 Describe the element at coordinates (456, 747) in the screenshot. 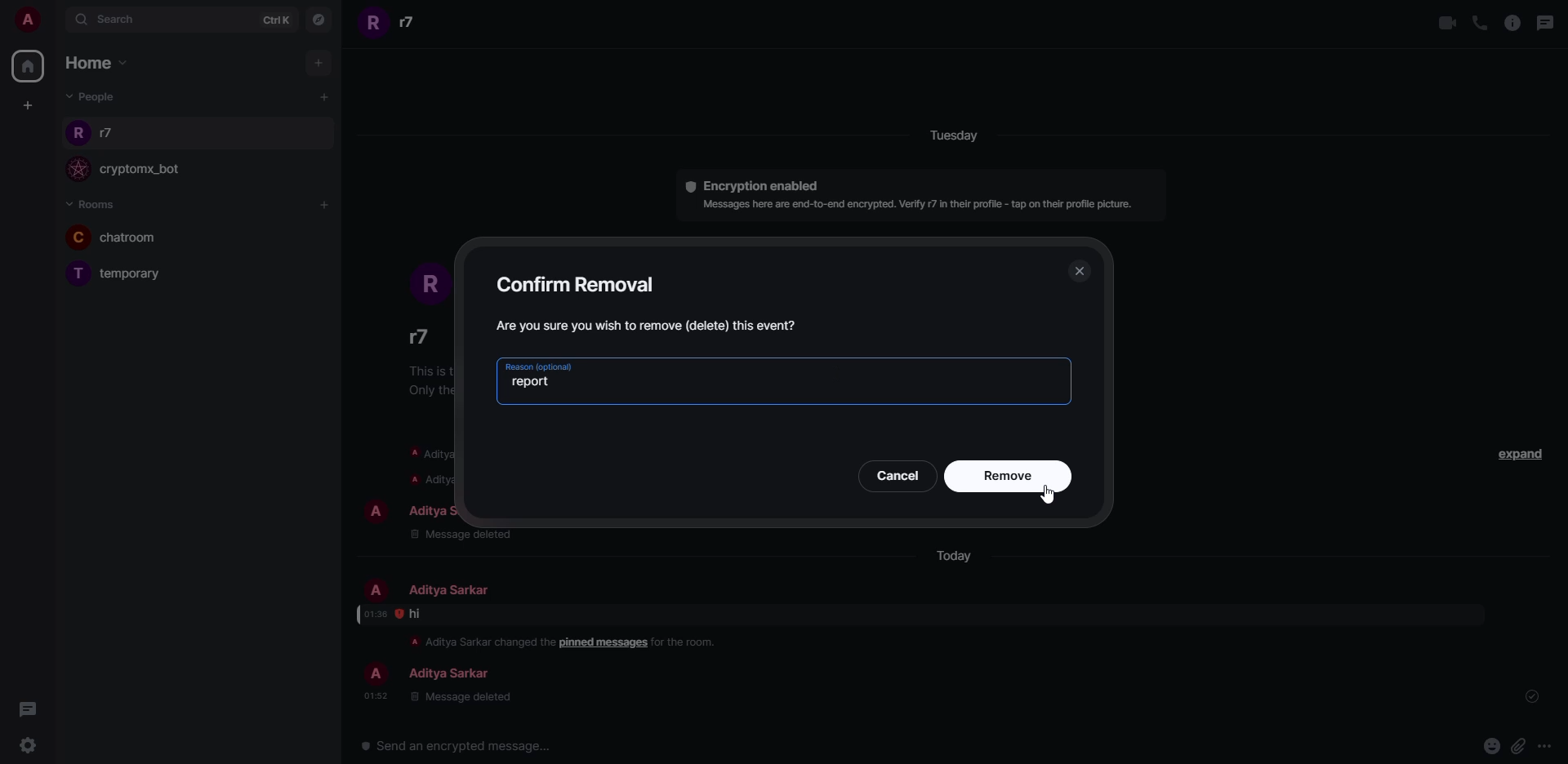

I see `send encrypted message` at that location.